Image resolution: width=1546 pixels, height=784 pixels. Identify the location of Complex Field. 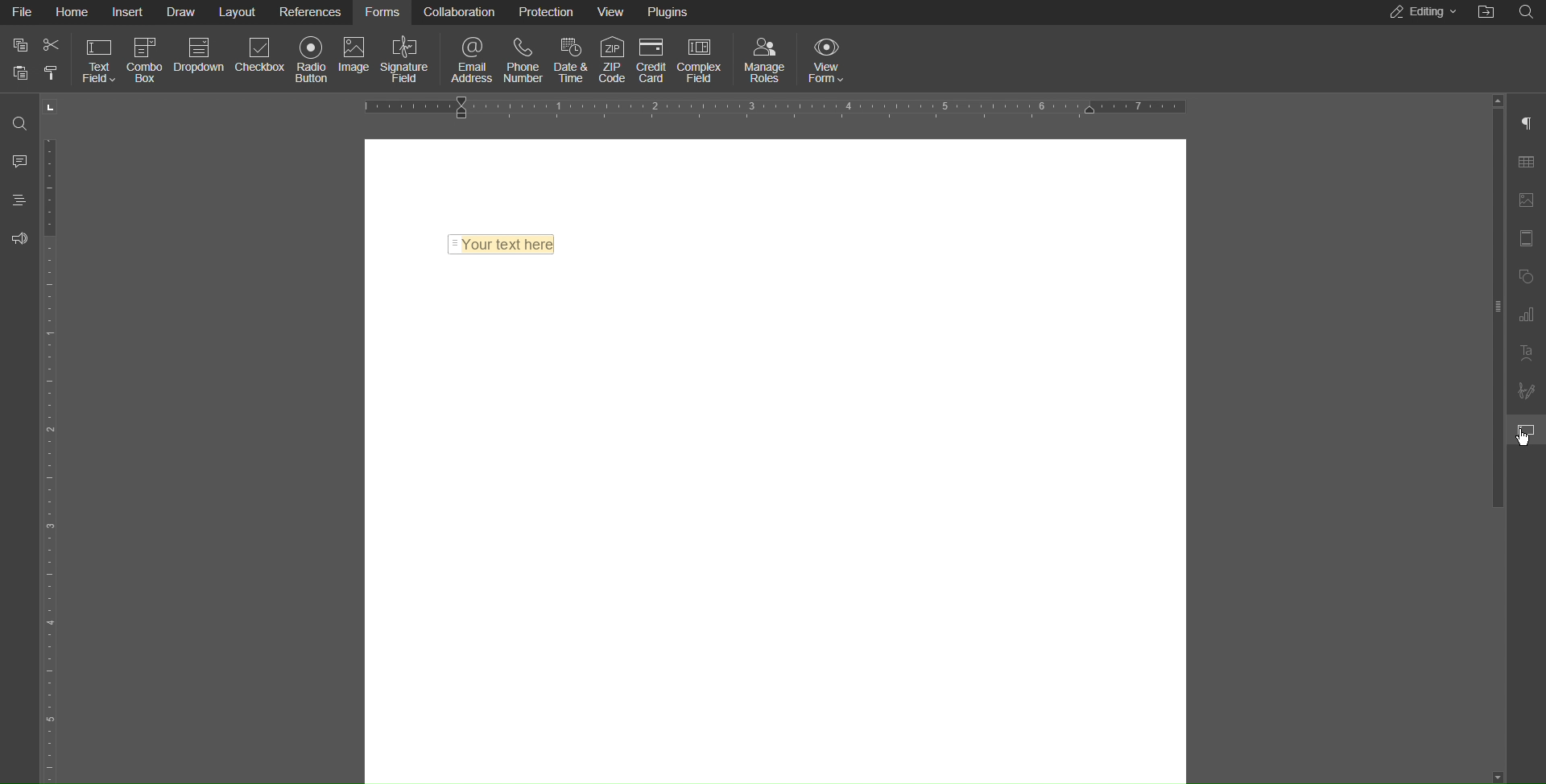
(701, 61).